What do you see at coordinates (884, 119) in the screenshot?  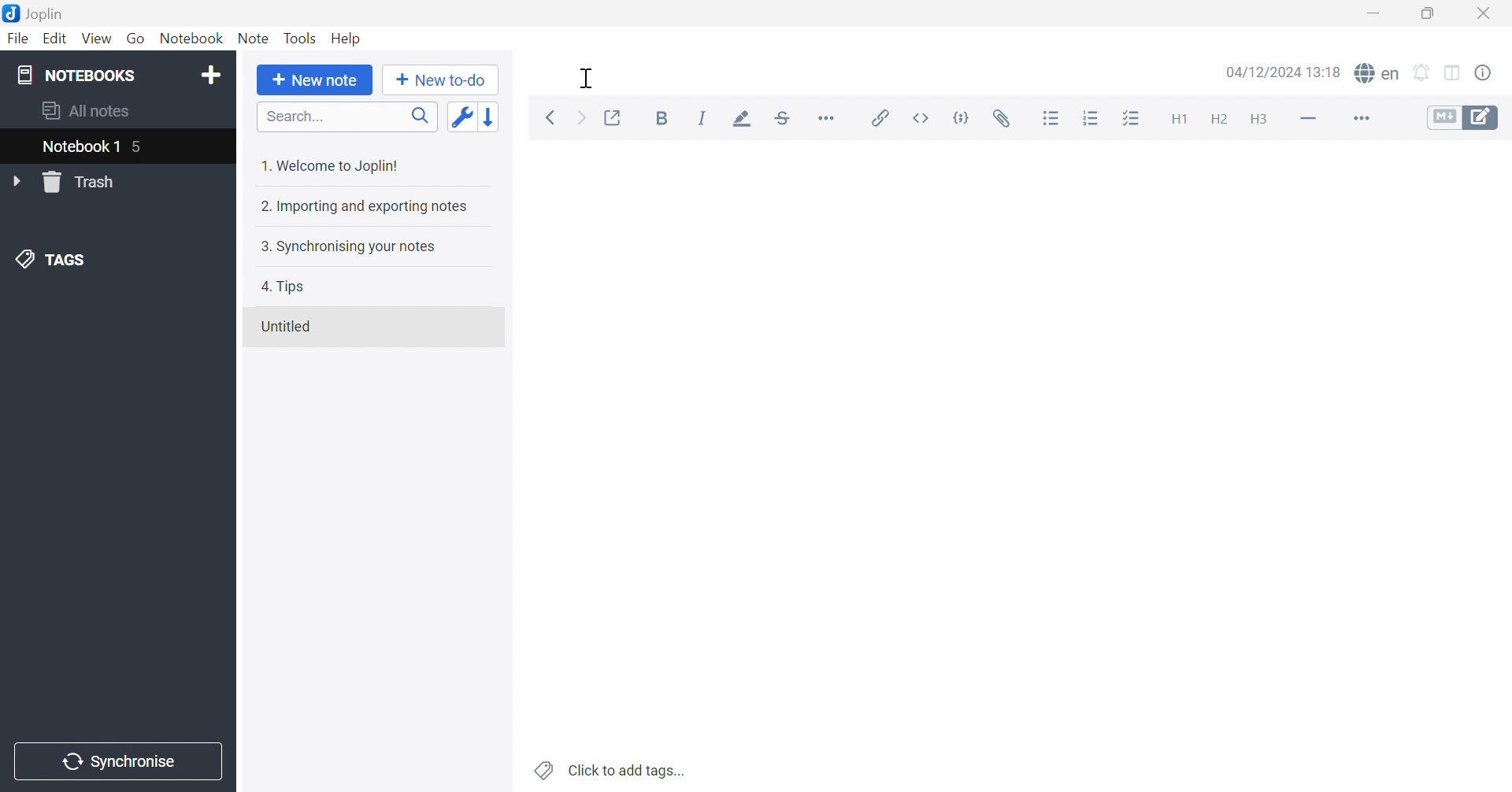 I see `Insert / edit link` at bounding box center [884, 119].